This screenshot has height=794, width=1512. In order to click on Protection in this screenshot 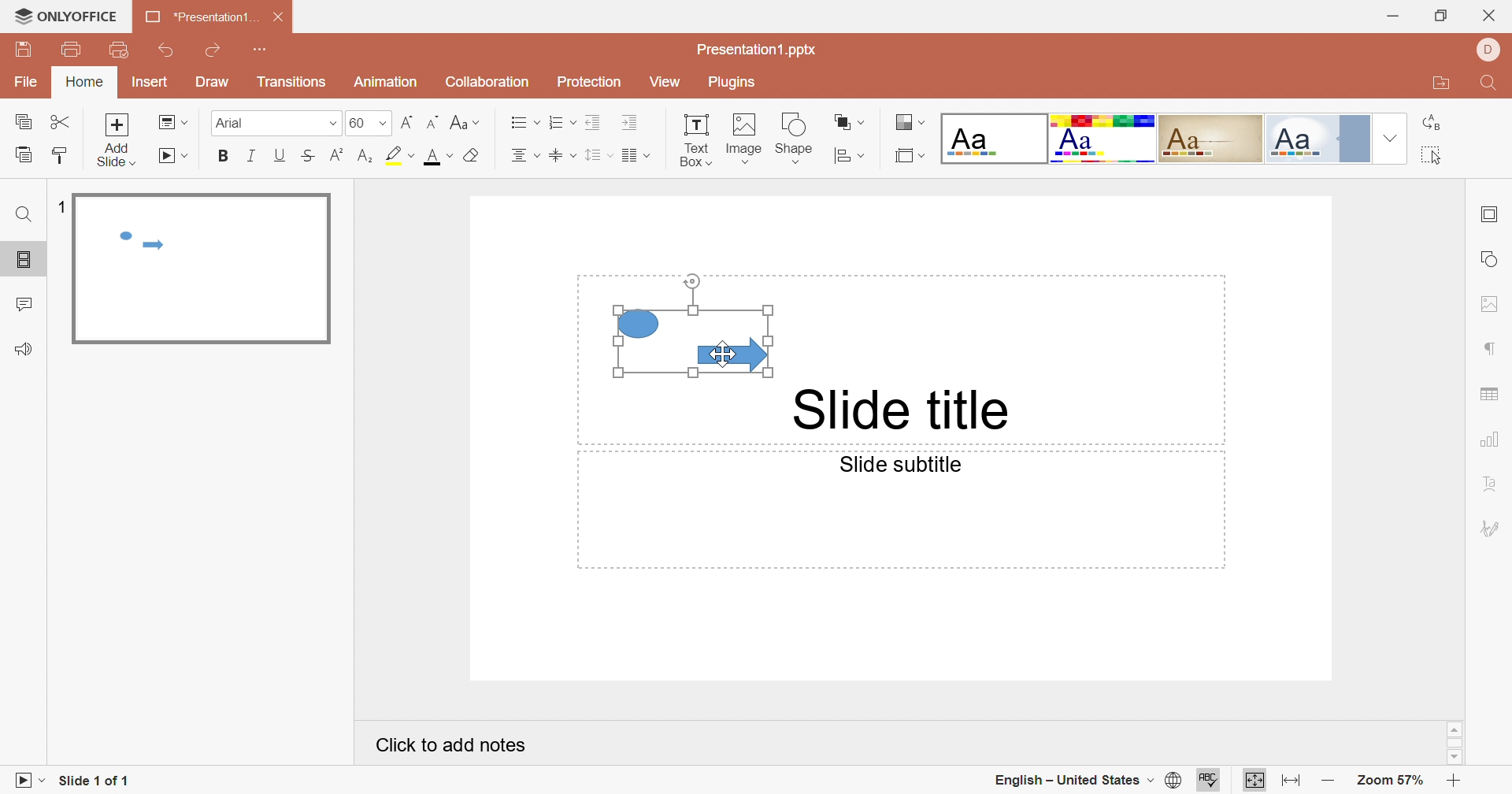, I will do `click(591, 84)`.